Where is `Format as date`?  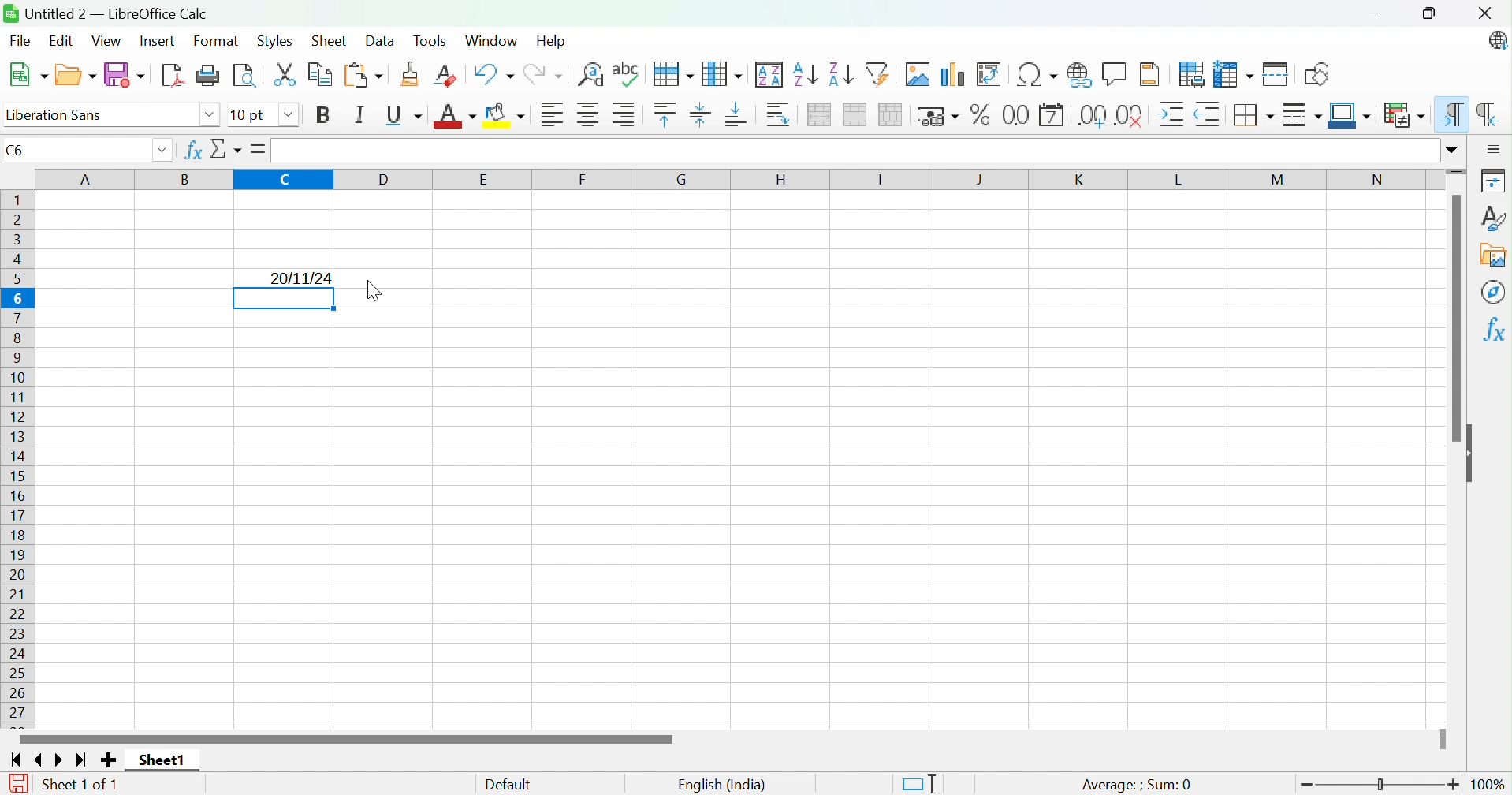 Format as date is located at coordinates (1051, 116).